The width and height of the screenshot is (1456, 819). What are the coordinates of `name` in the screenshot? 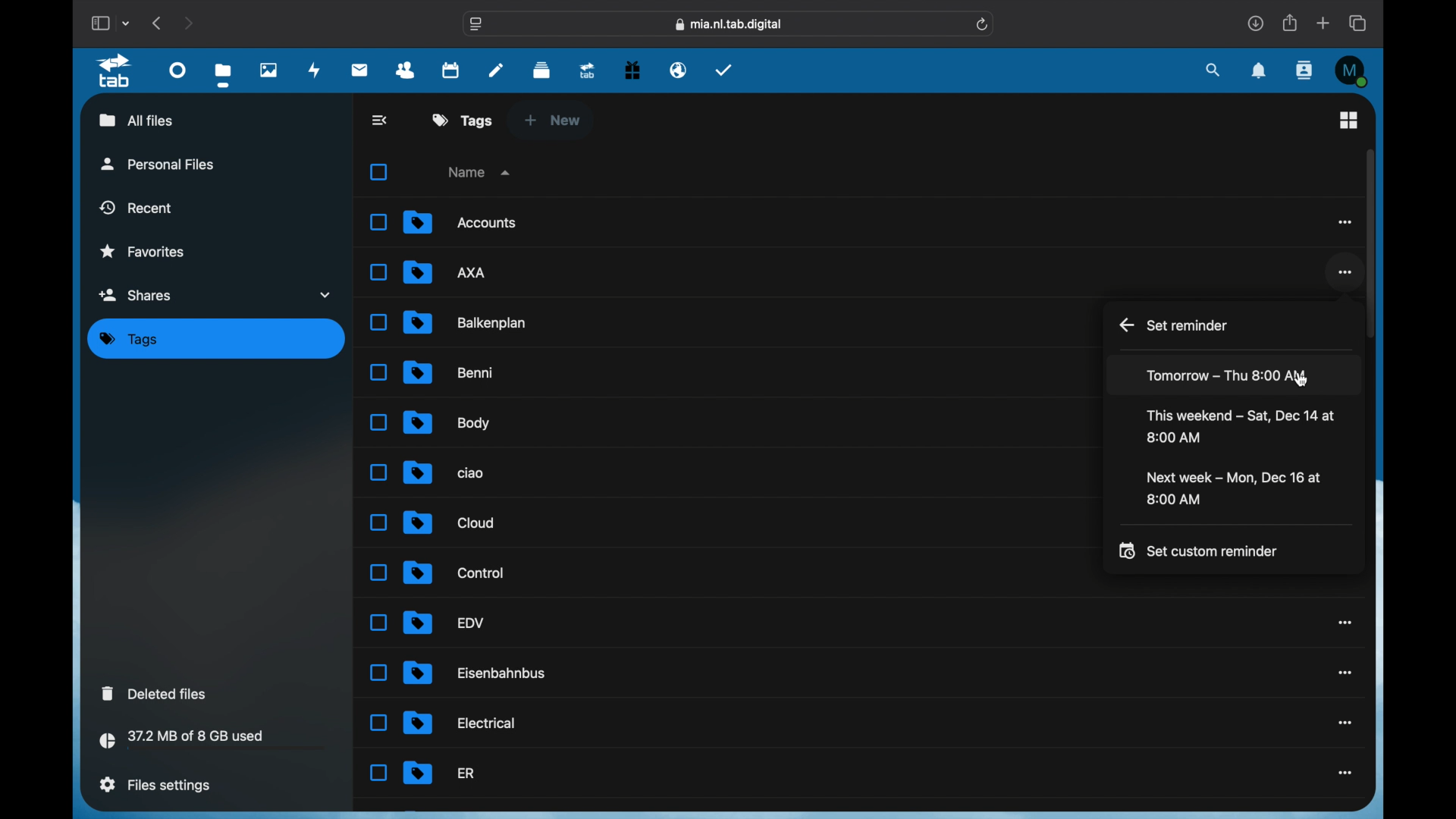 It's located at (482, 171).